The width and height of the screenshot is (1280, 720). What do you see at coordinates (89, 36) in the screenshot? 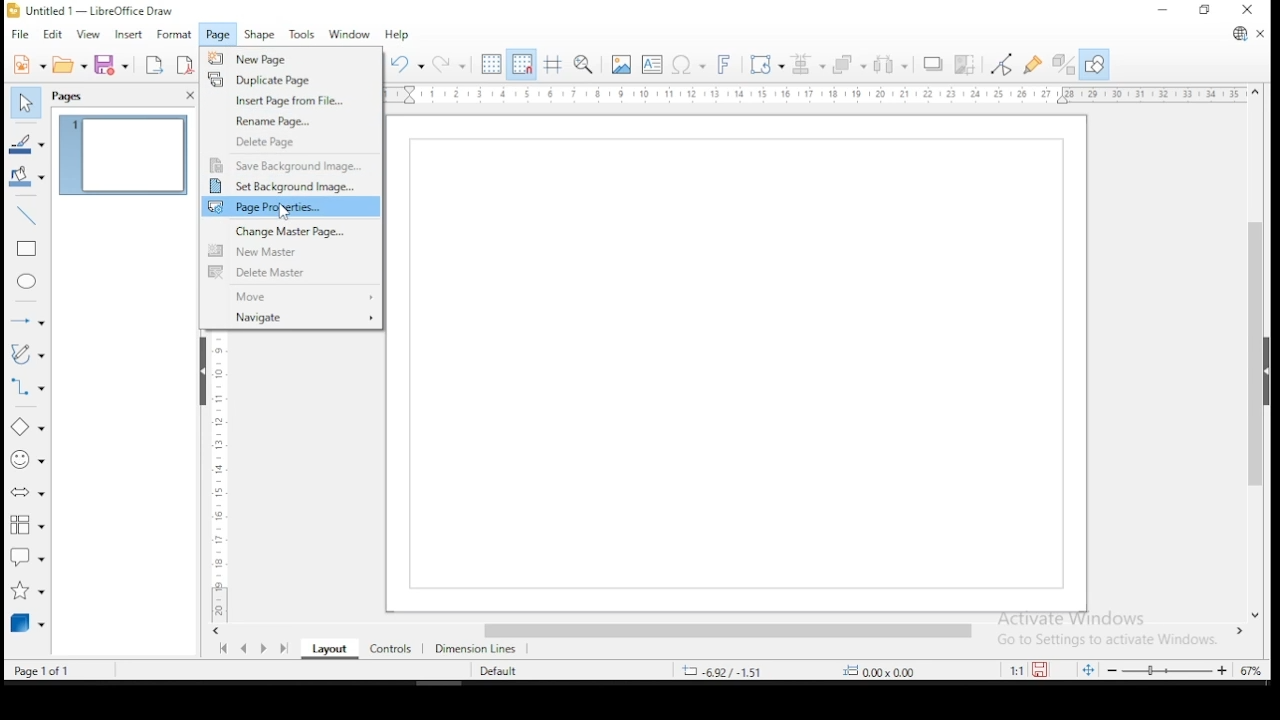
I see `view` at bounding box center [89, 36].